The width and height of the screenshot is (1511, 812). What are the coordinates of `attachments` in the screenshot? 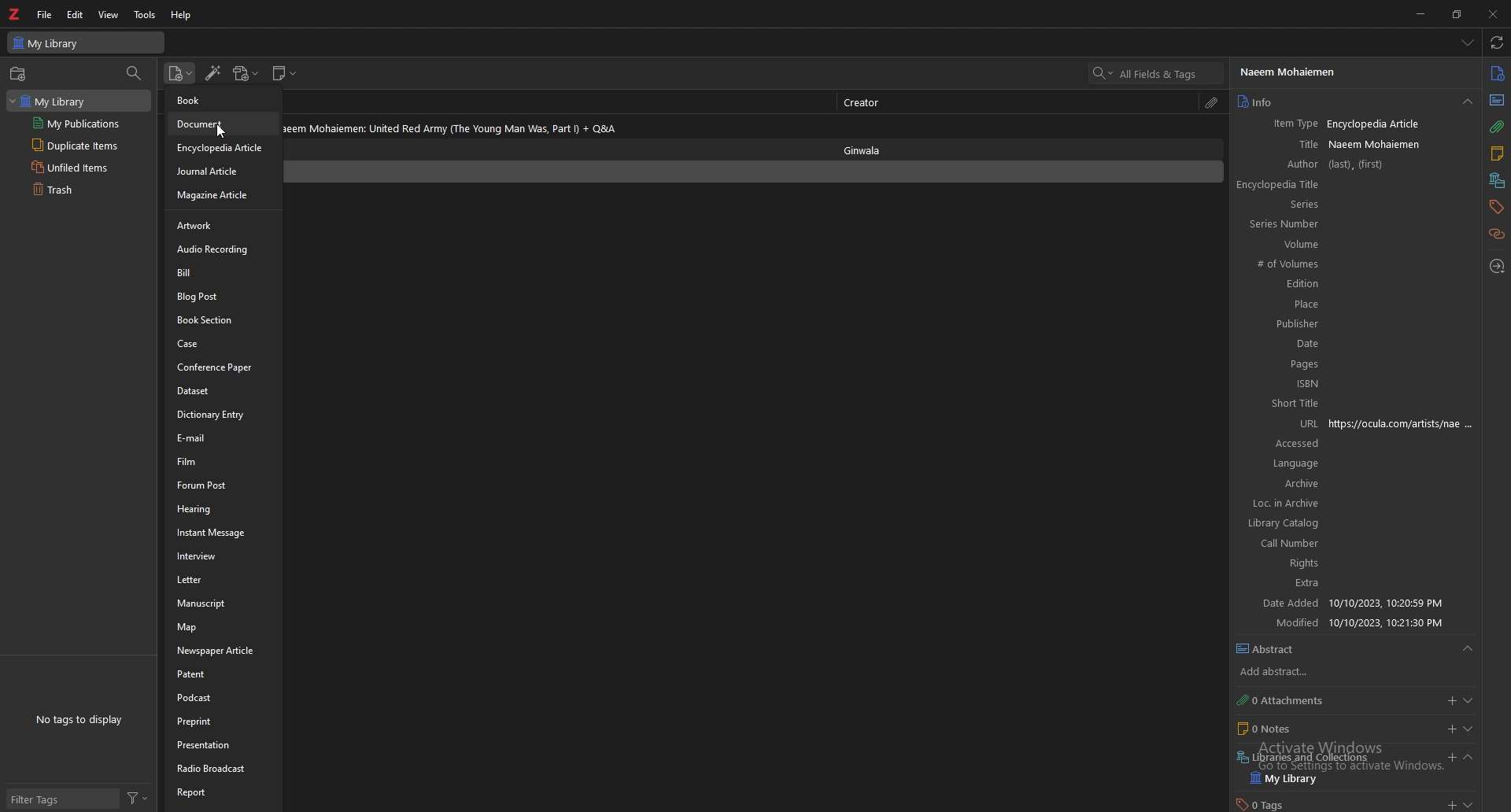 It's located at (1214, 102).